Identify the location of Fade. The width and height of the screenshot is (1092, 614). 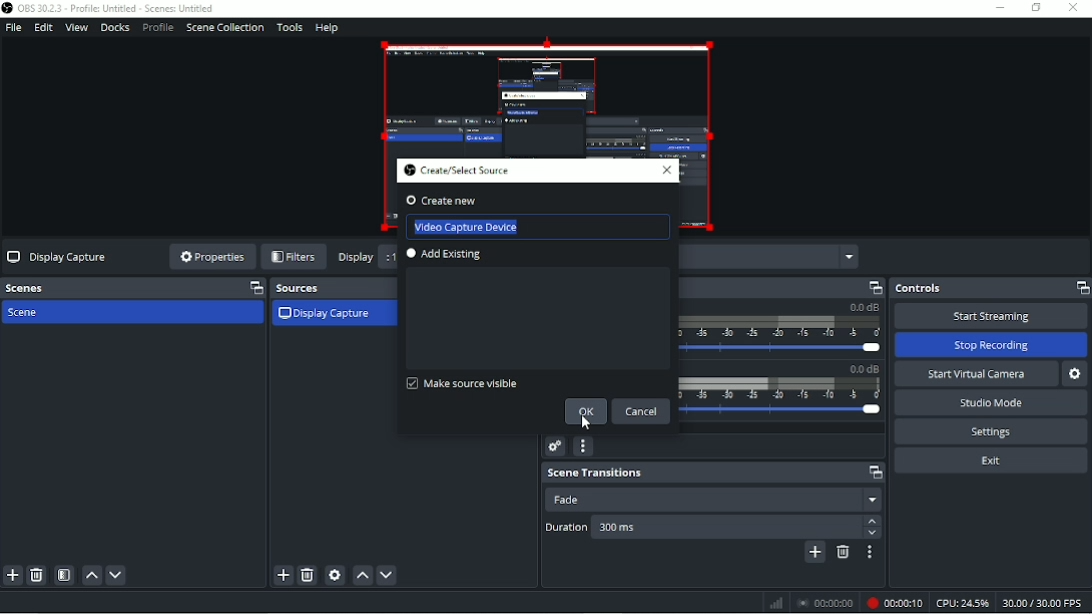
(713, 500).